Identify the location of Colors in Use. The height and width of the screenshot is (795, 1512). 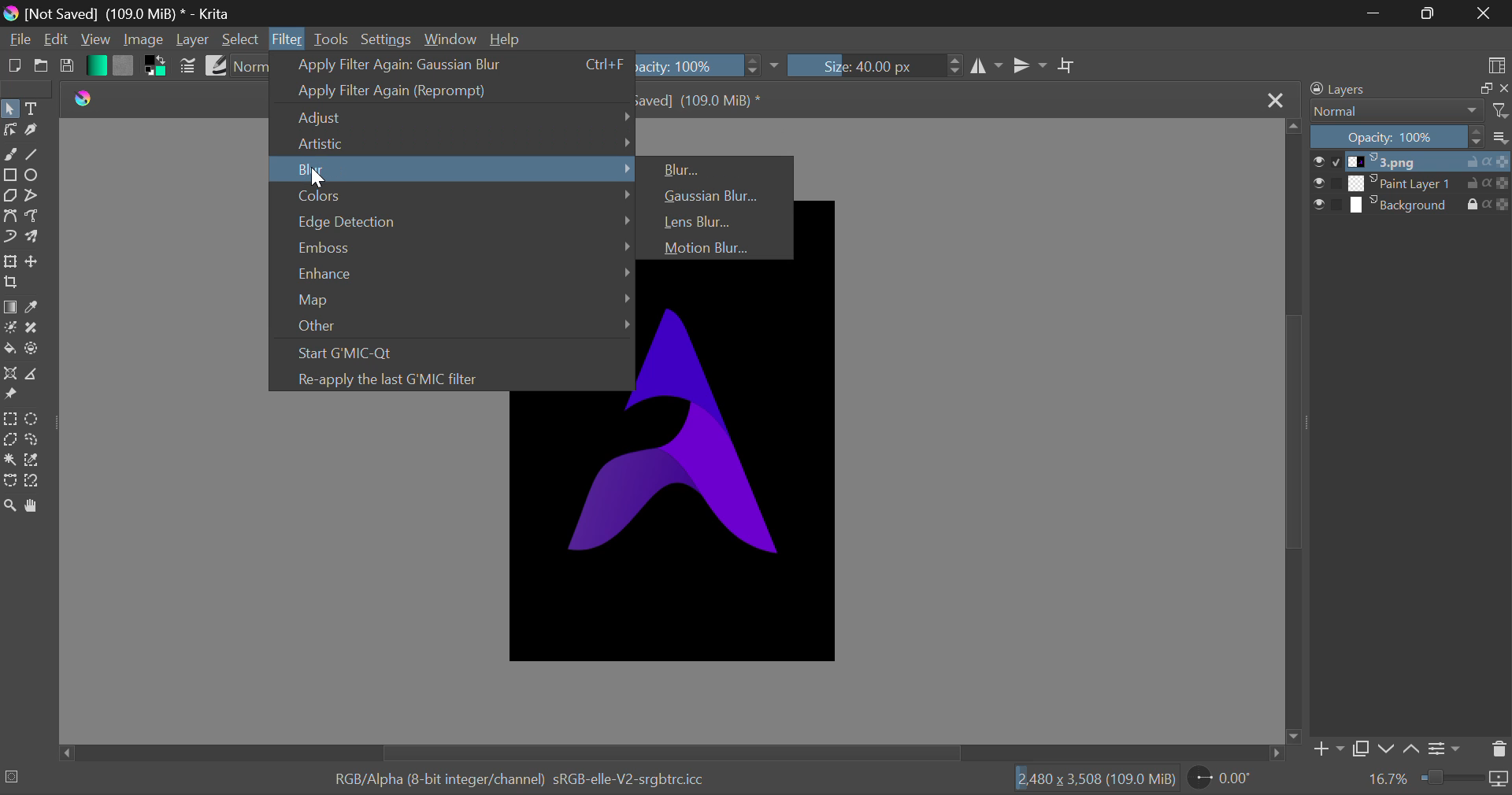
(153, 68).